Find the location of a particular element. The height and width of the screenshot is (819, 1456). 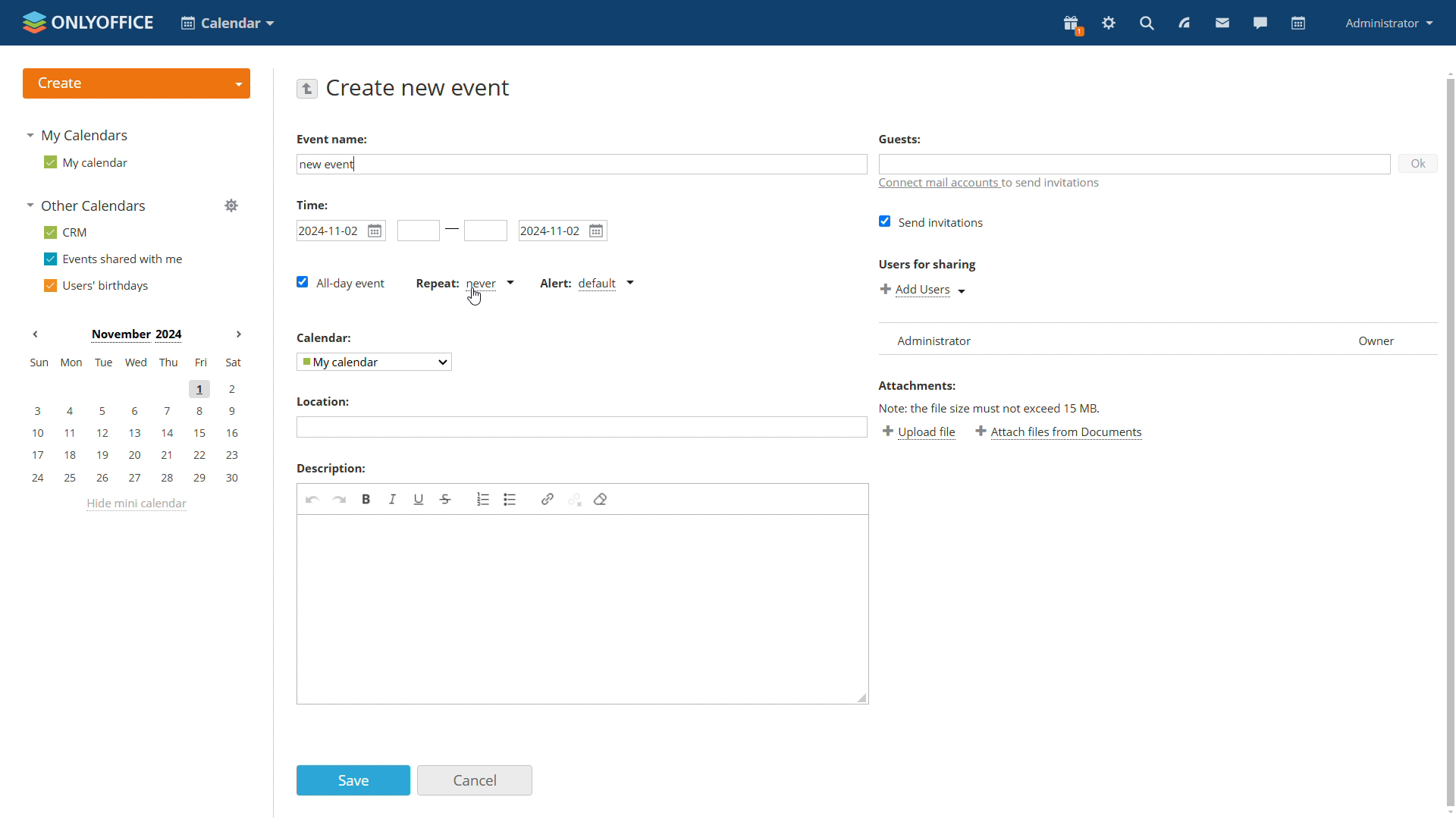

Previous month is located at coordinates (36, 334).